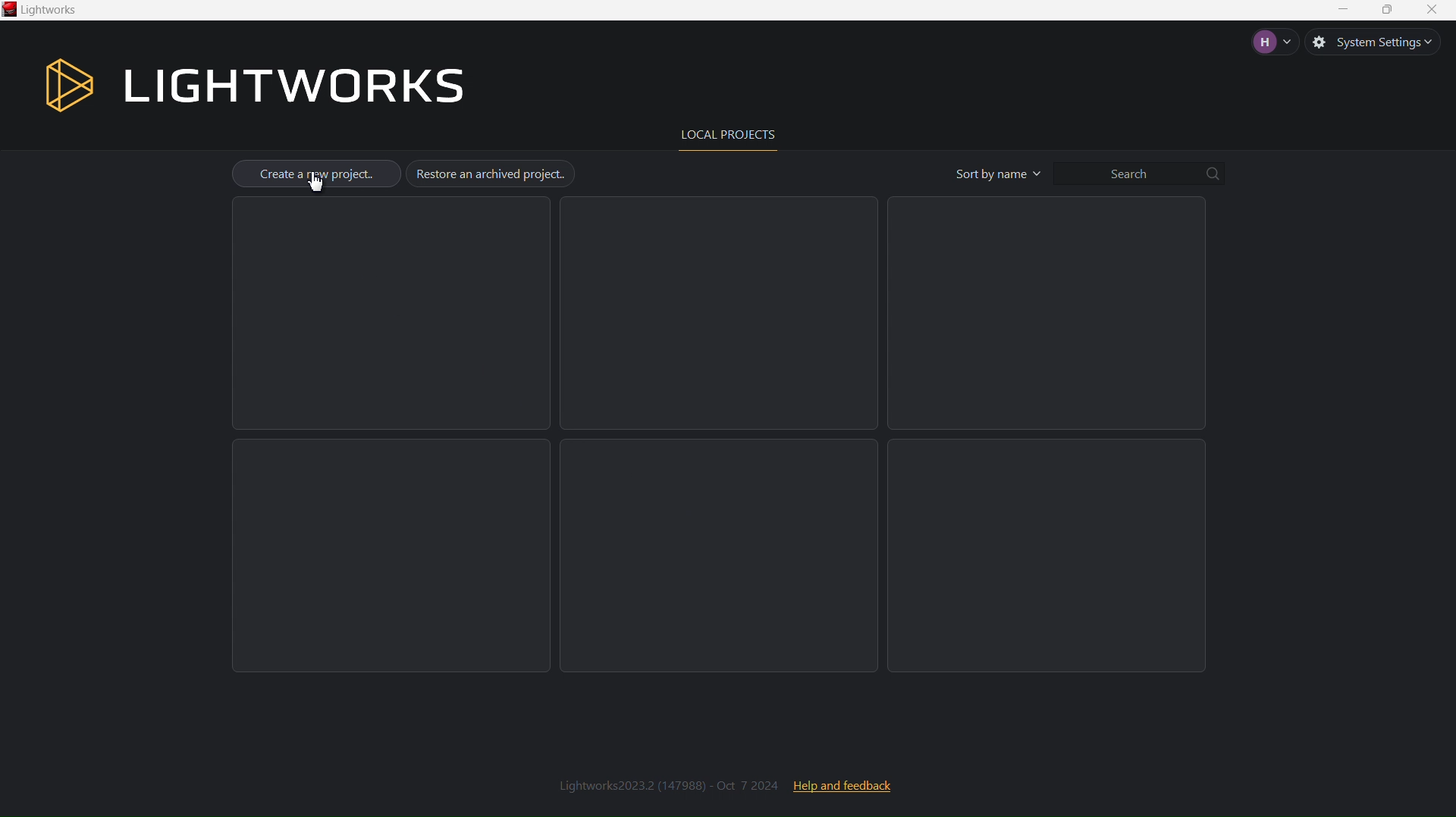 This screenshot has width=1456, height=817. I want to click on cursor, so click(318, 183).